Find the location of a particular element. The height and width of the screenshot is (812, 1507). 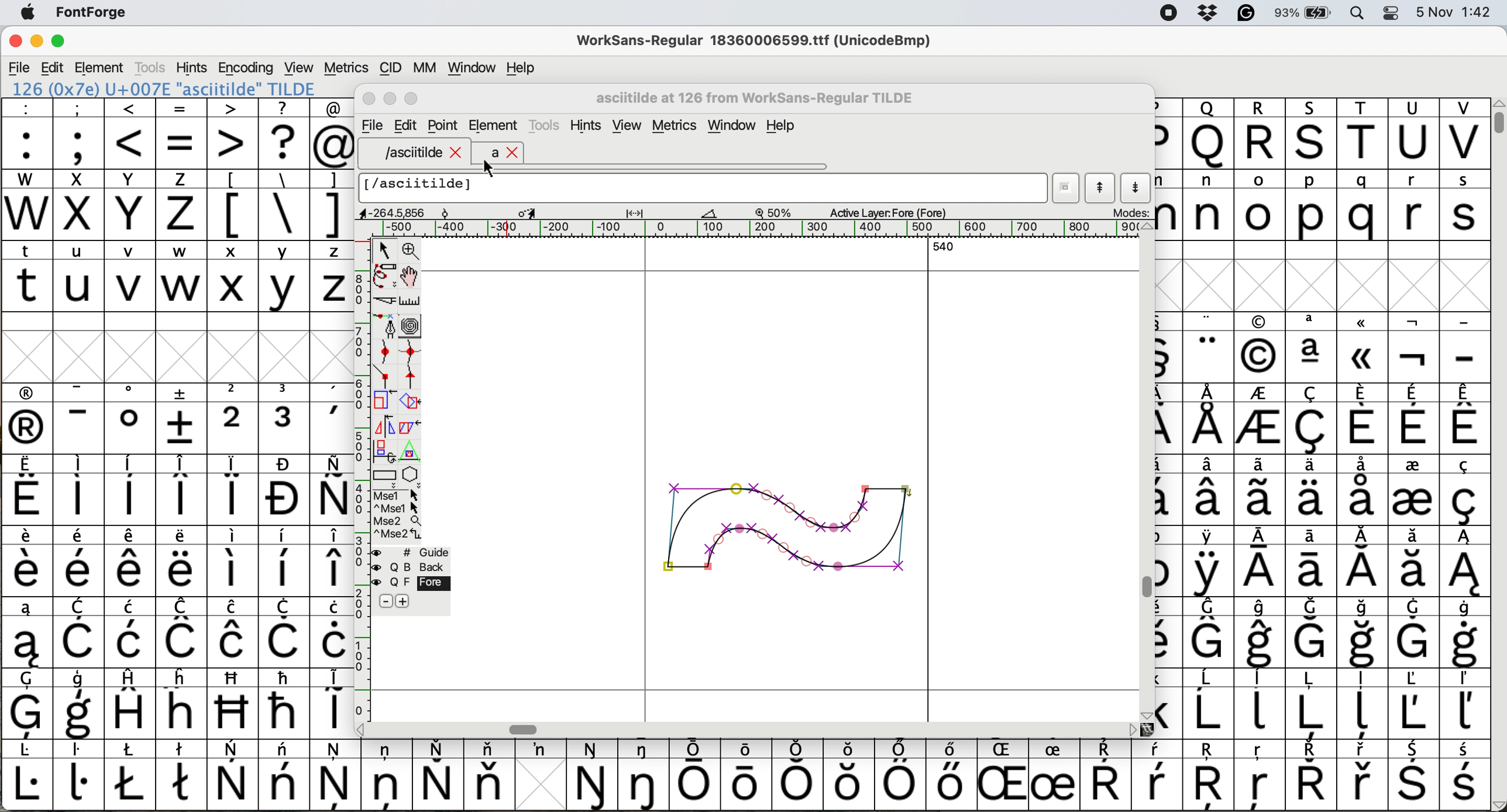

measure distance is located at coordinates (411, 301).